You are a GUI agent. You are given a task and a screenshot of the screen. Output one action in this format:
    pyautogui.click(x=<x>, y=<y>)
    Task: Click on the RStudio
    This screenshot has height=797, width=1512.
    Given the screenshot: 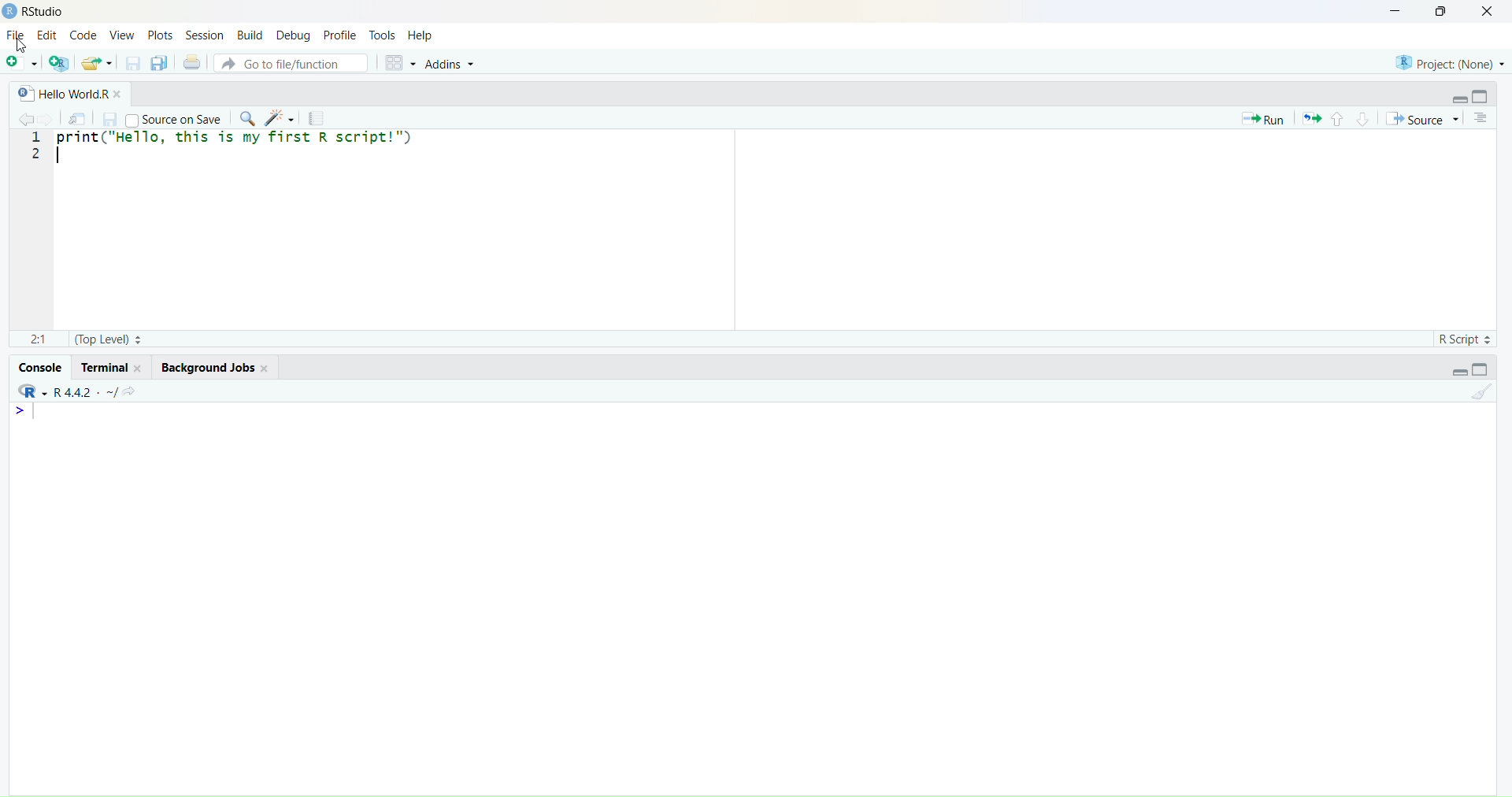 What is the action you would take?
    pyautogui.click(x=31, y=390)
    